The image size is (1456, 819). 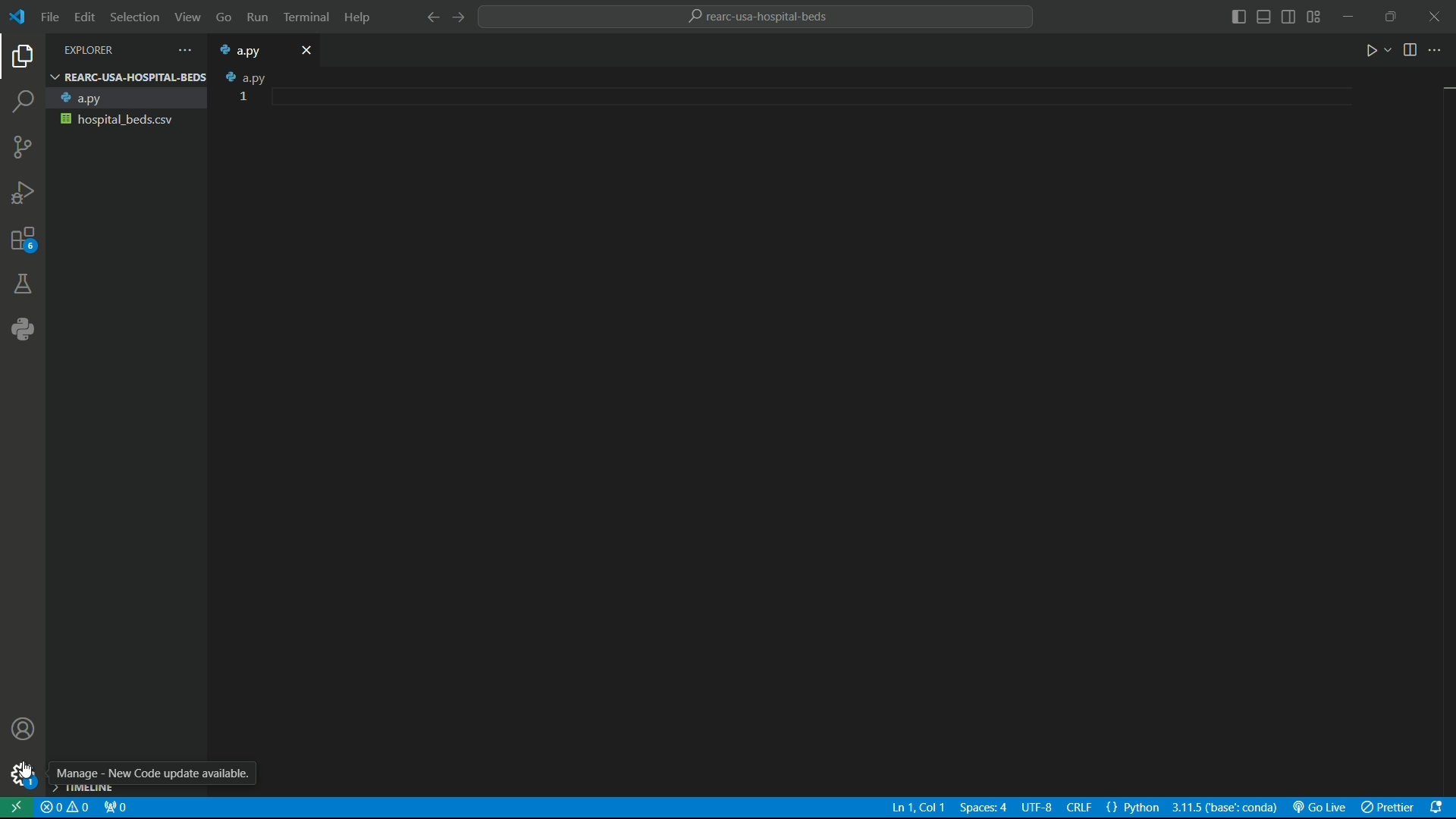 I want to click on Spaces: 4, so click(x=984, y=808).